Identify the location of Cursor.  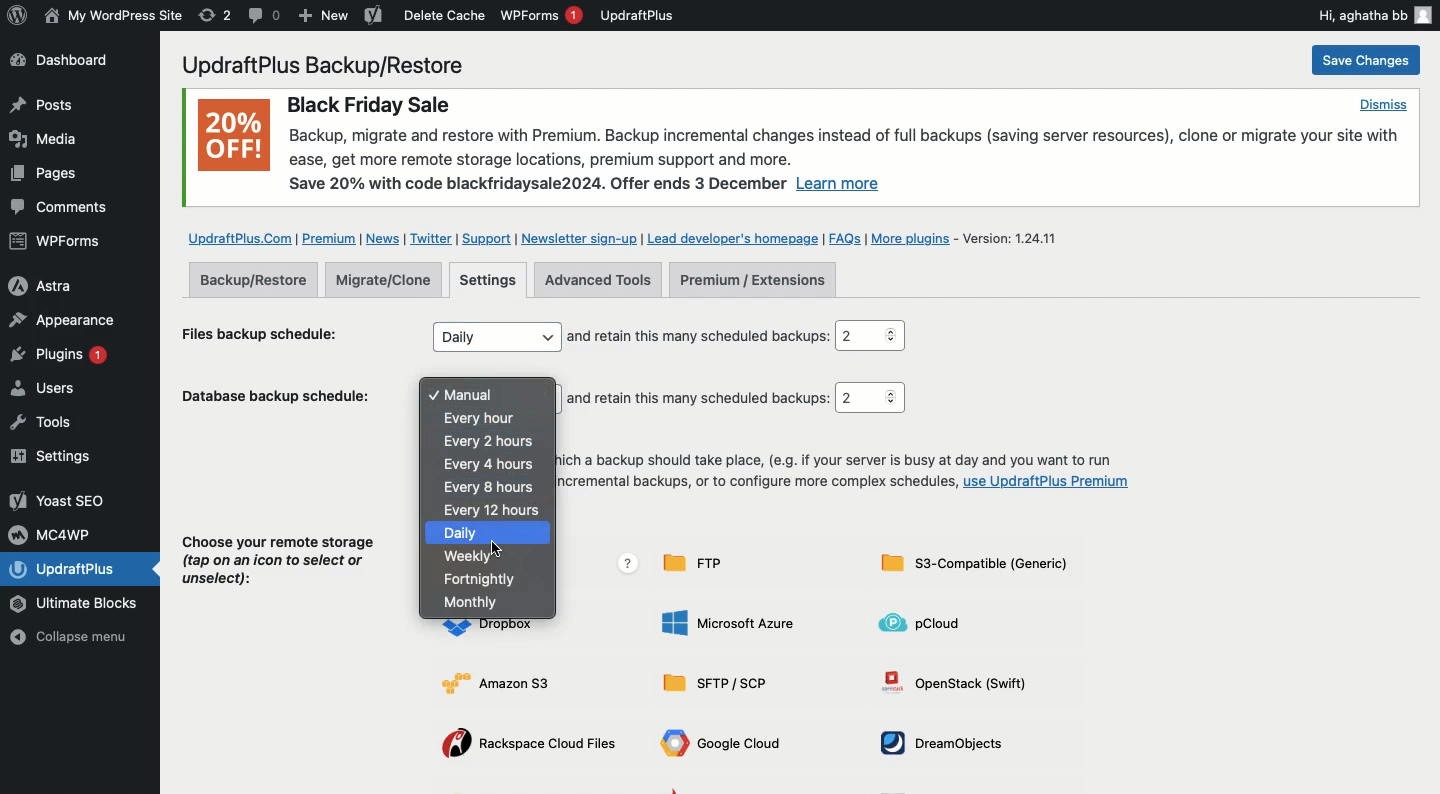
(495, 547).